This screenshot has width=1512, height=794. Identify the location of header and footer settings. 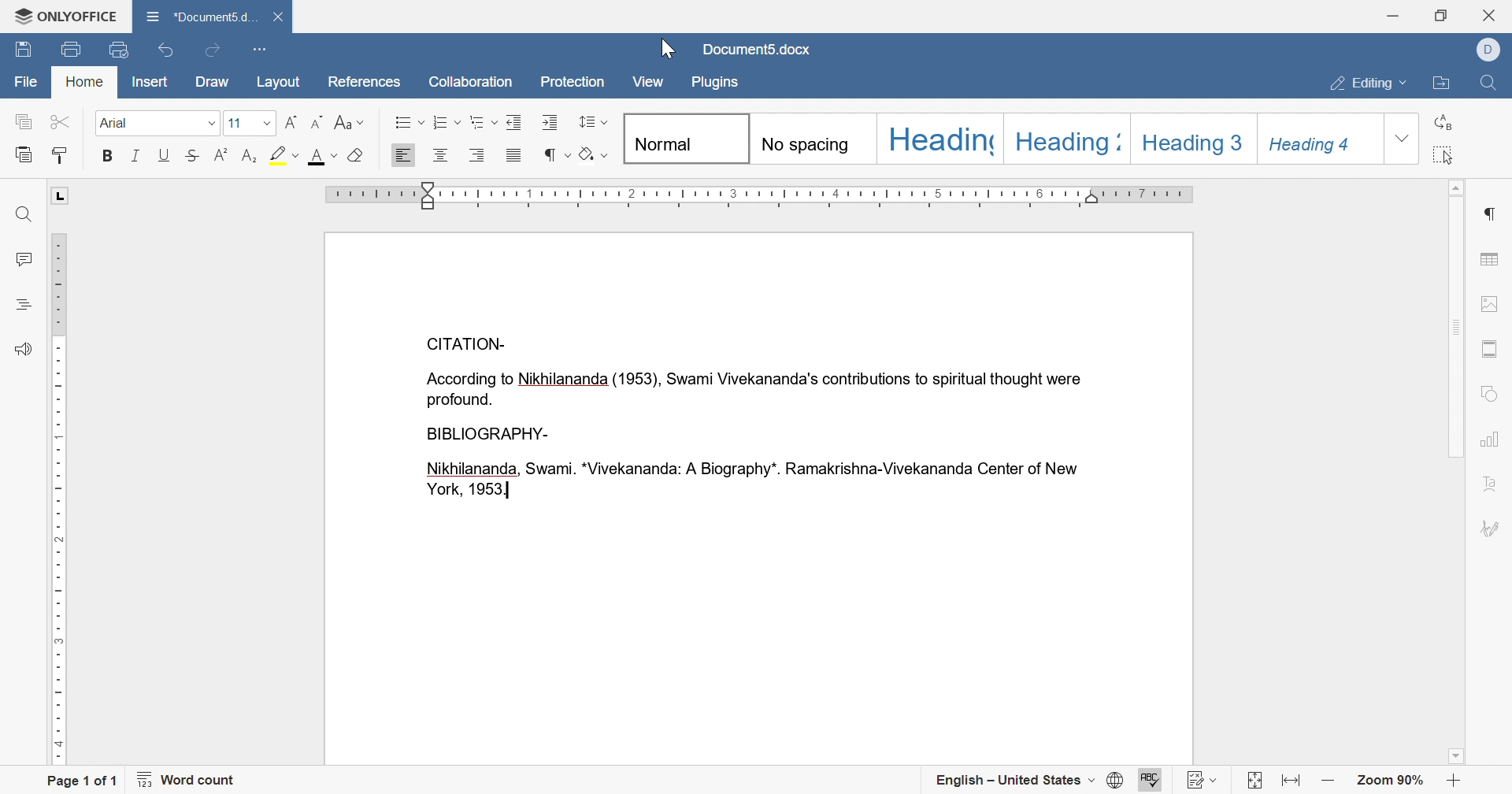
(1488, 348).